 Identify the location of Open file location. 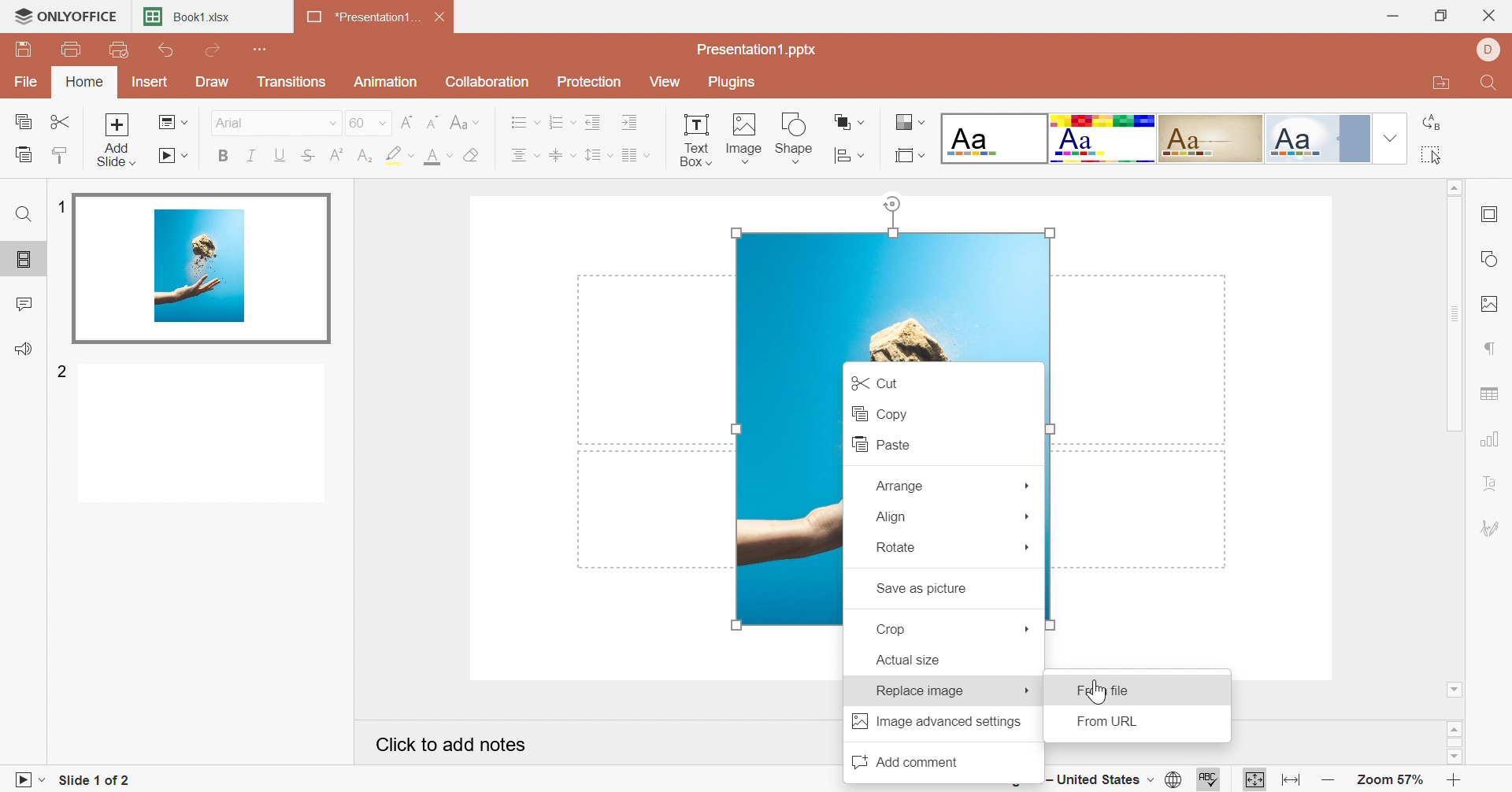
(1440, 86).